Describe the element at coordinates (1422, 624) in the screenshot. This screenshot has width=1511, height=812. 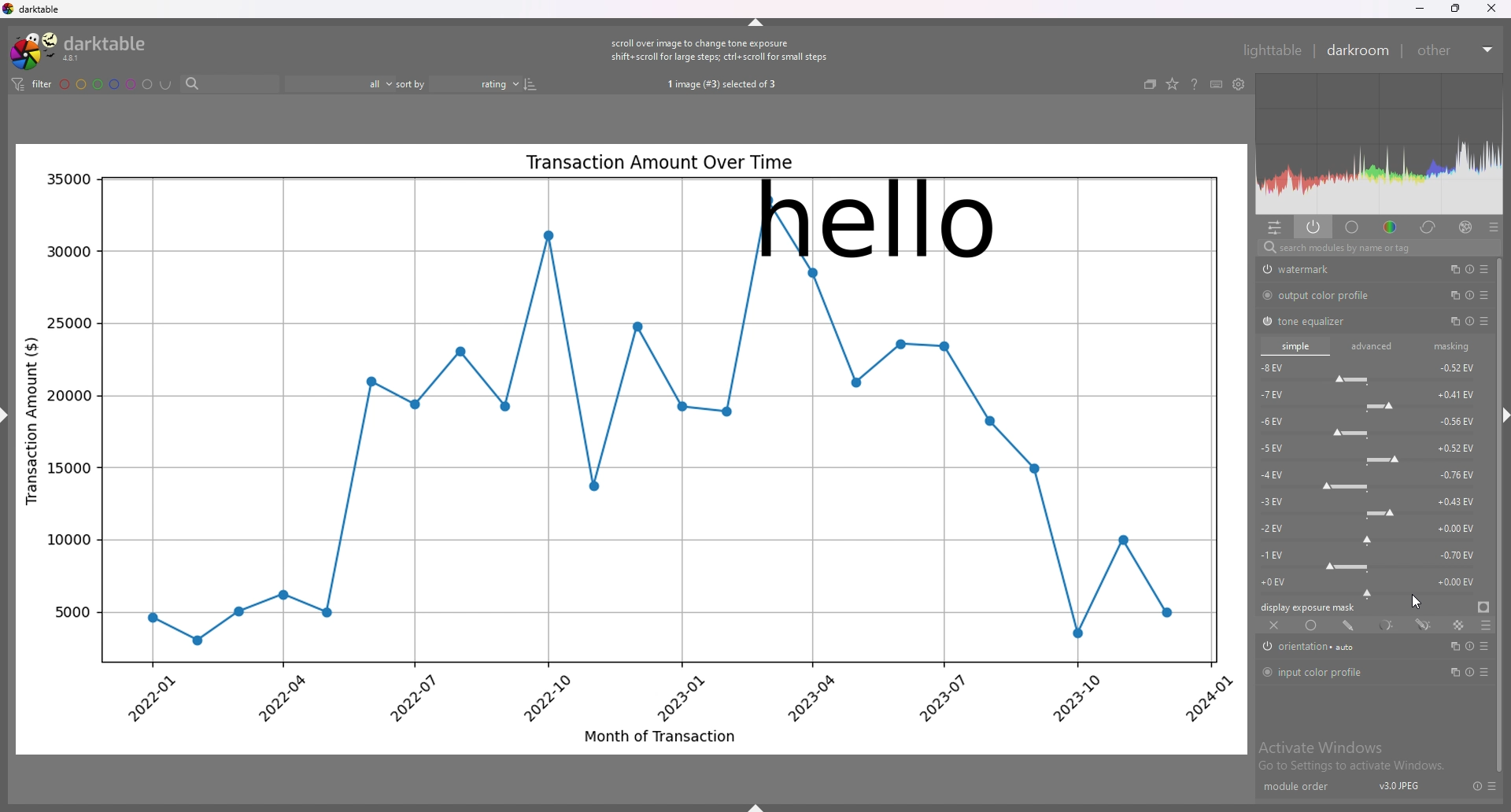
I see `drawn and parametric mask` at that location.